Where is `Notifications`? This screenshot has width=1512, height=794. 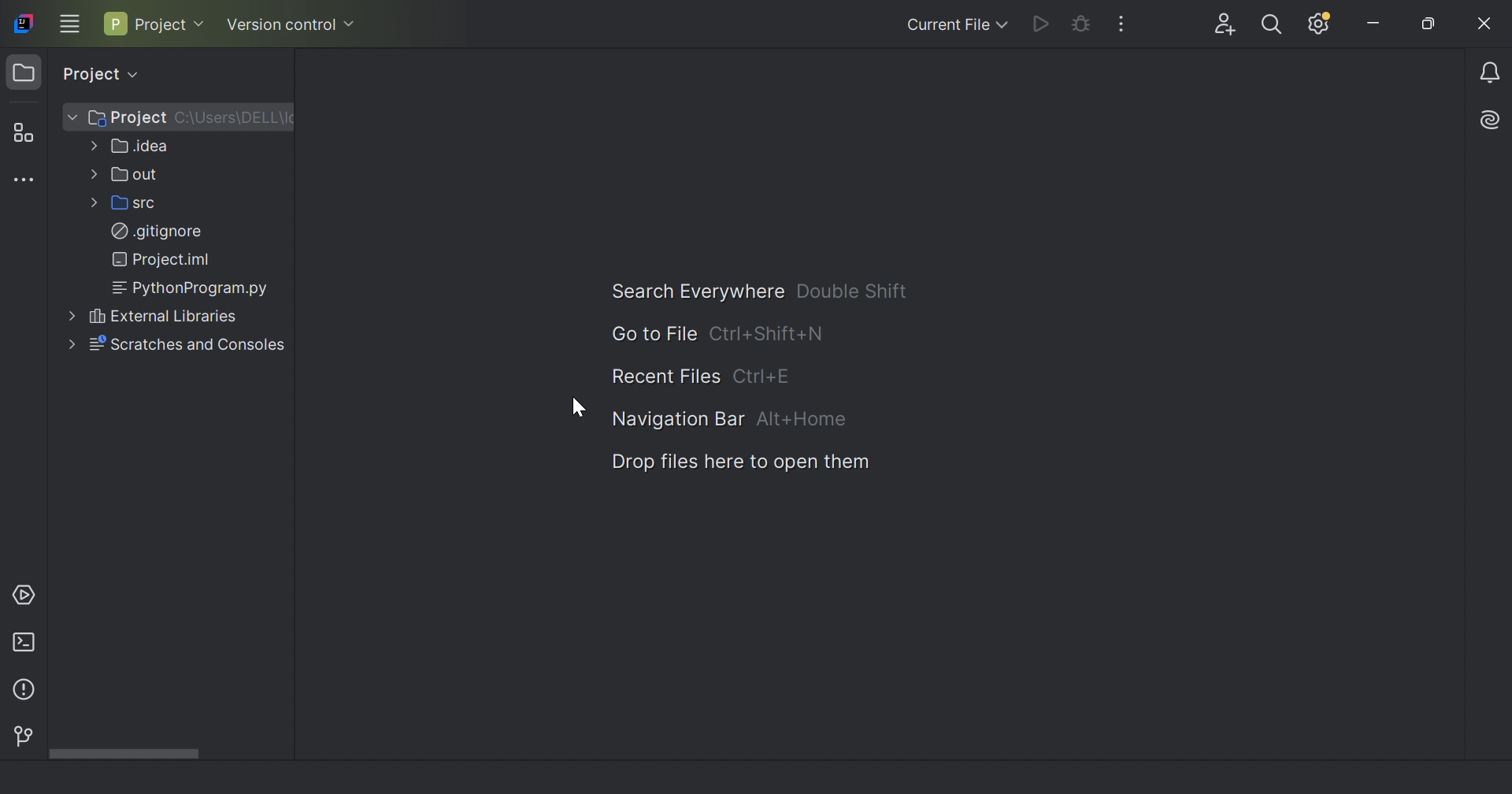 Notifications is located at coordinates (1492, 72).